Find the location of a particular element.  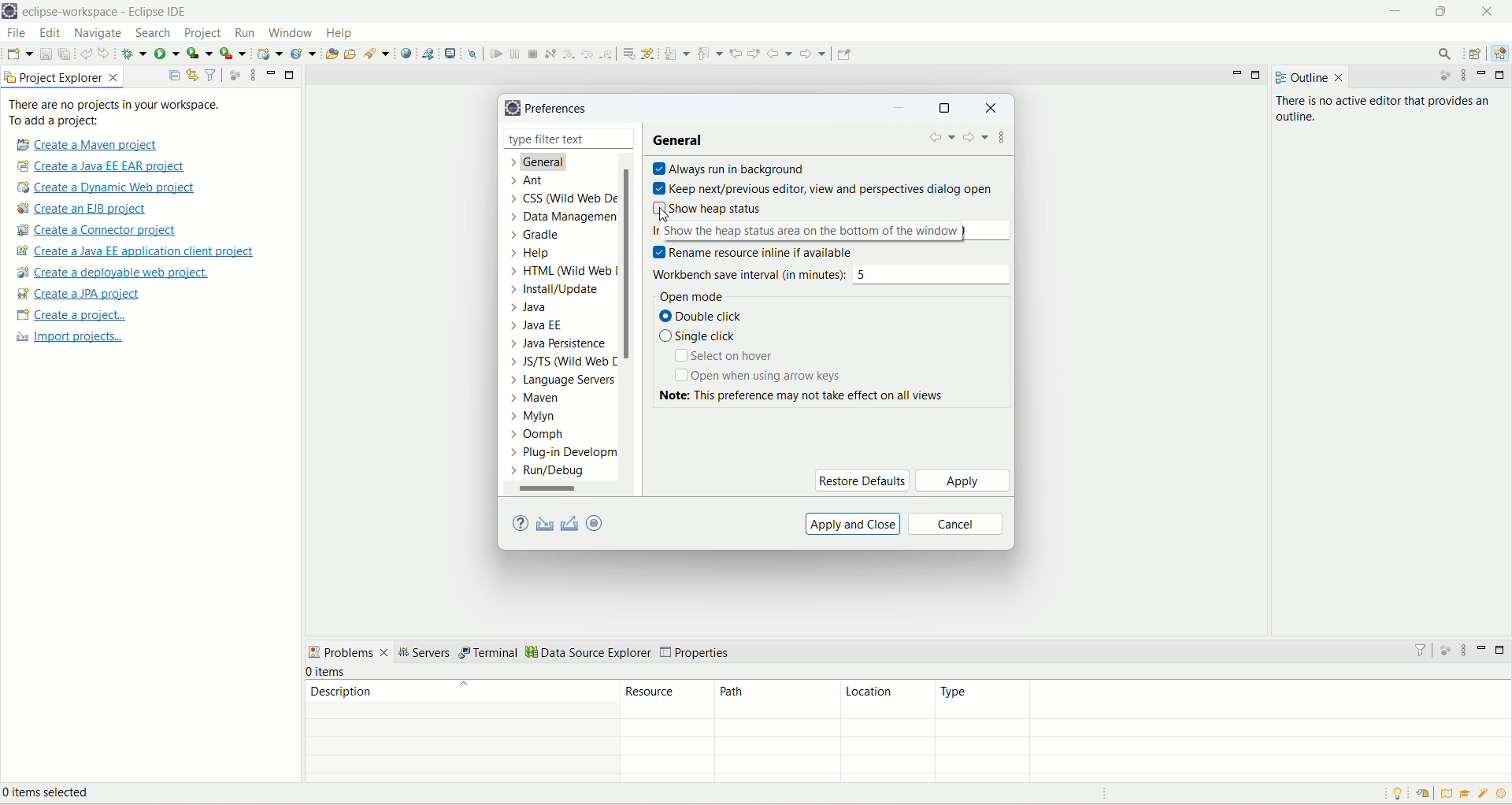

launch web service is located at coordinates (428, 53).